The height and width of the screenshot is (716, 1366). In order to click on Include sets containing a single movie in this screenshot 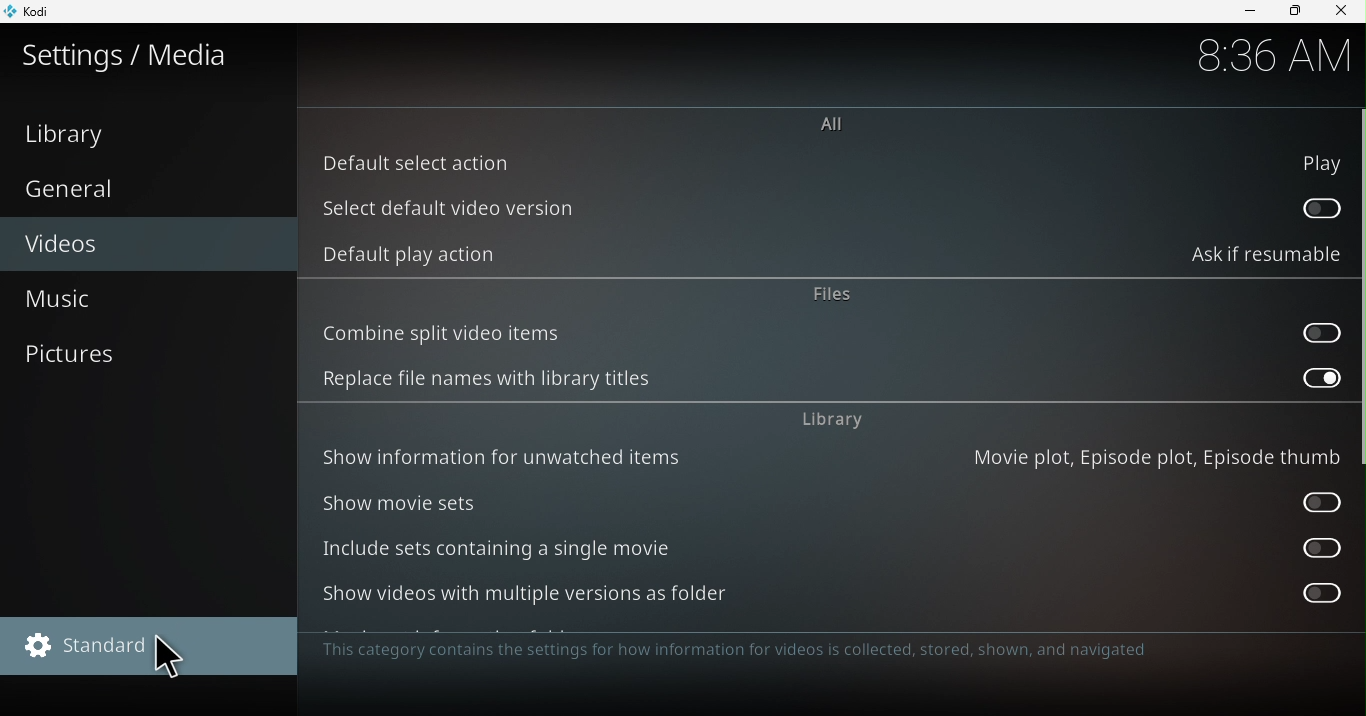, I will do `click(824, 546)`.